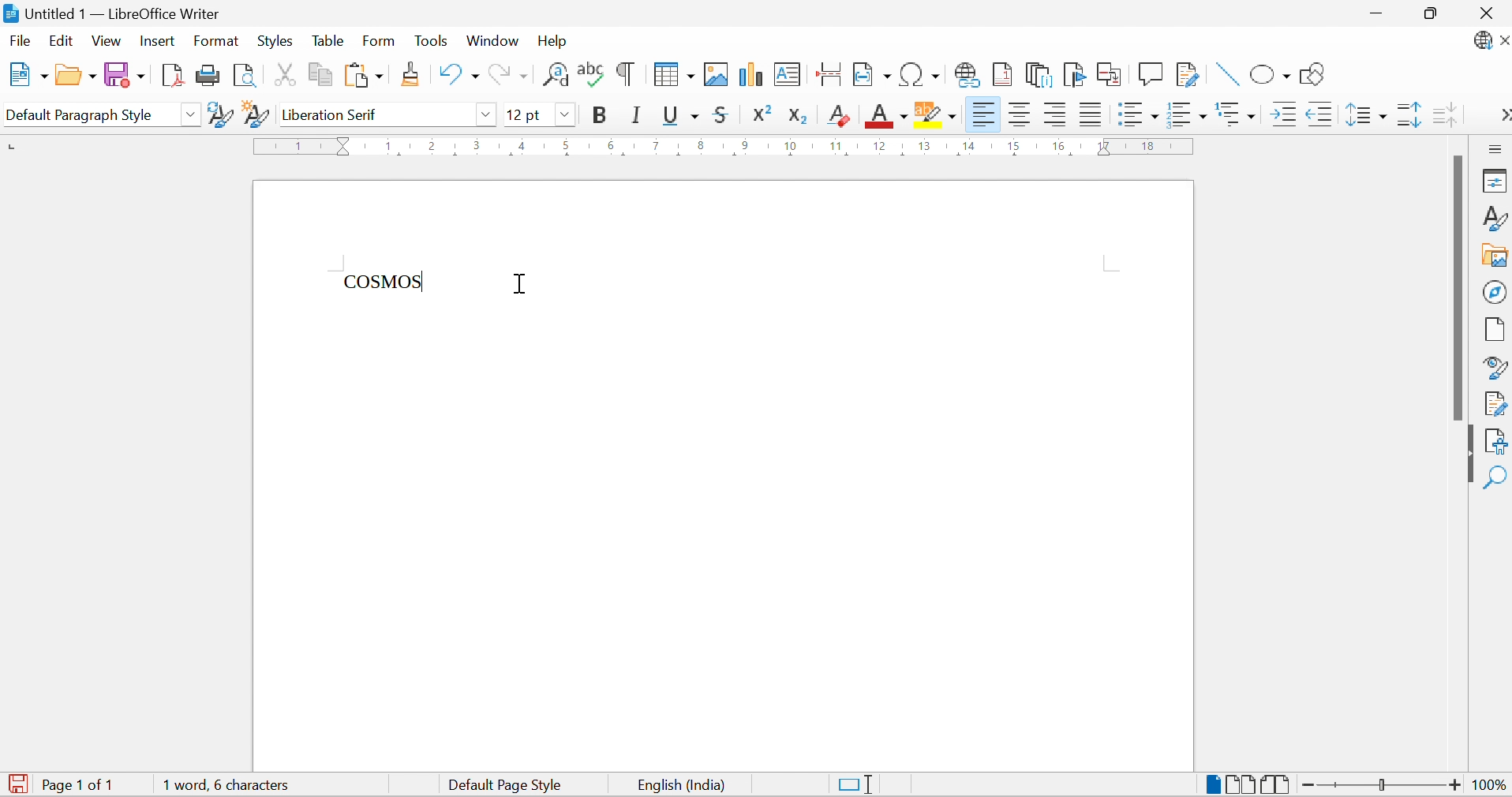  Describe the element at coordinates (1496, 368) in the screenshot. I see `Style Inspector` at that location.